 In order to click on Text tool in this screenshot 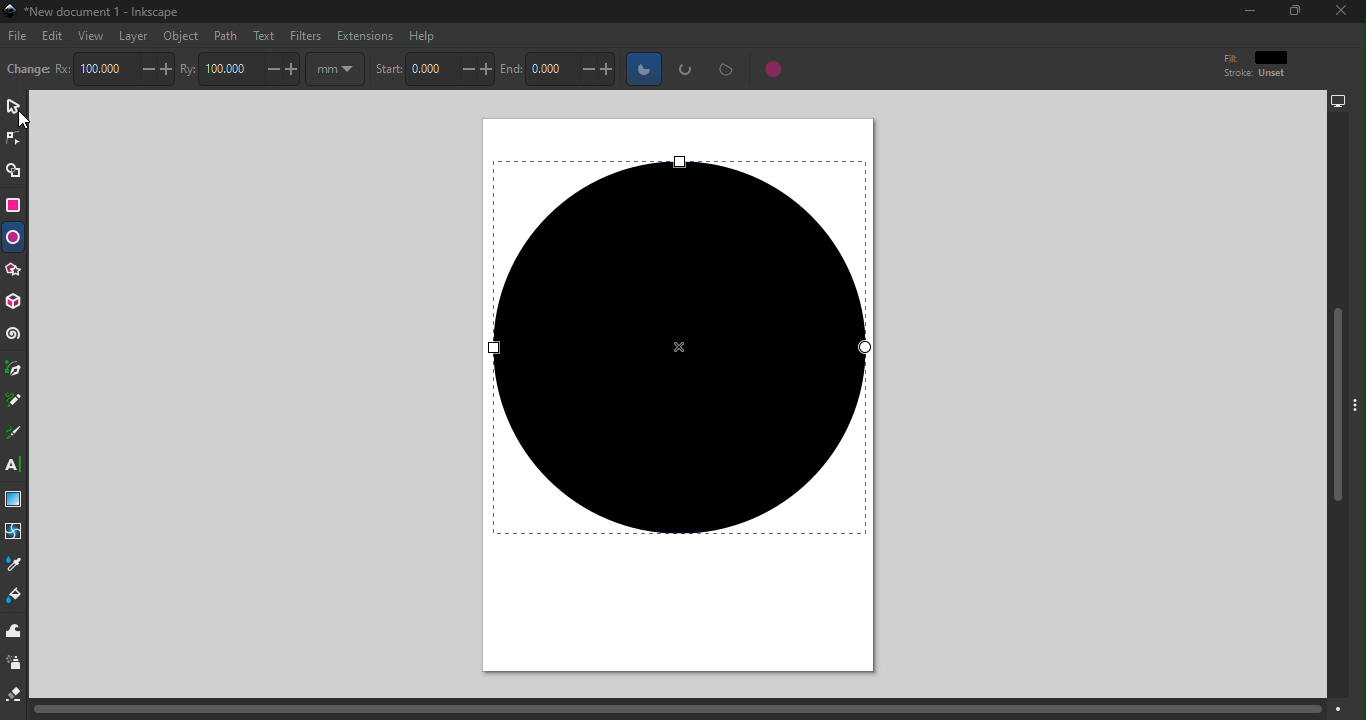, I will do `click(15, 467)`.